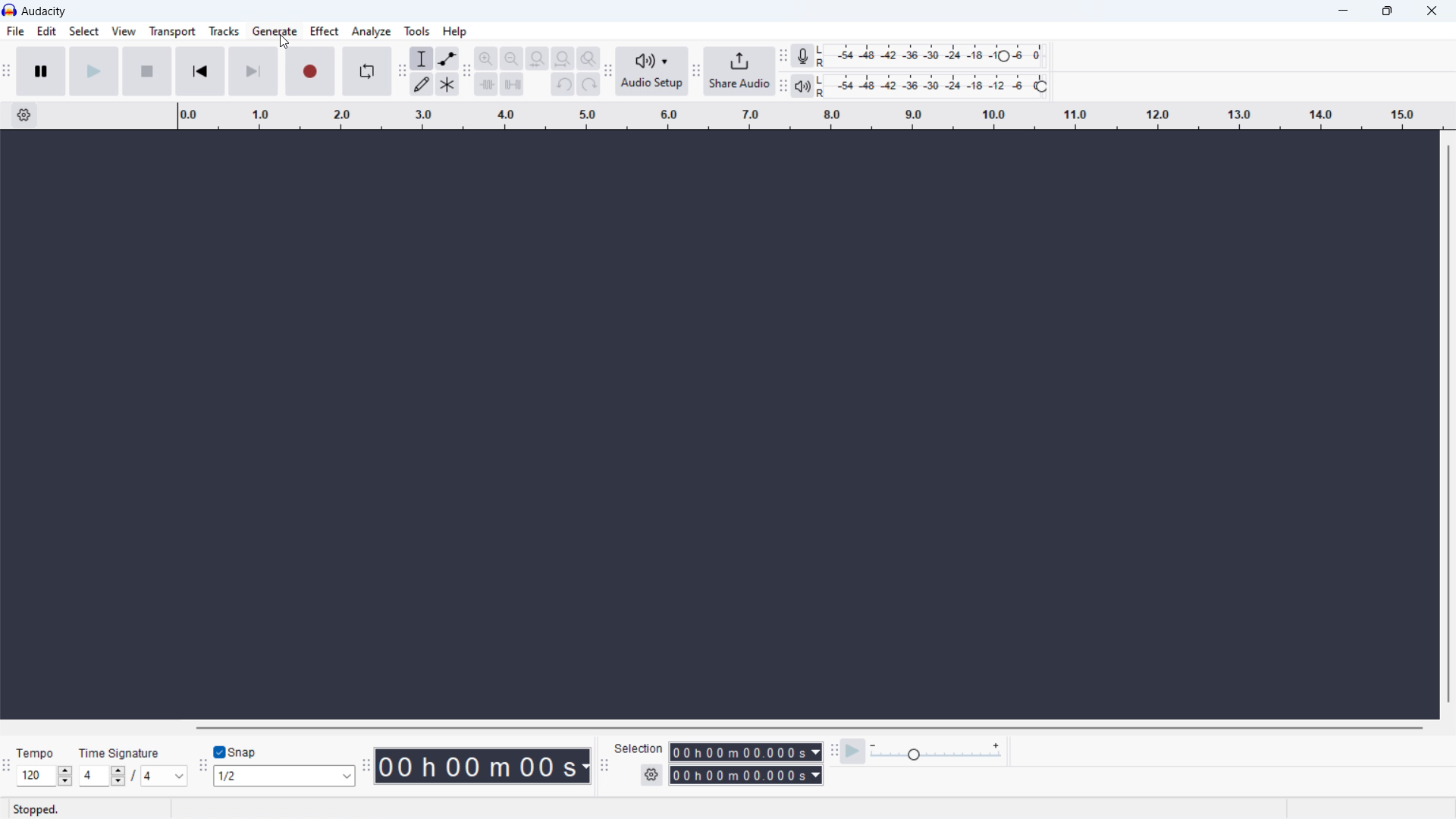 Image resolution: width=1456 pixels, height=819 pixels. I want to click on fit project to width, so click(563, 59).